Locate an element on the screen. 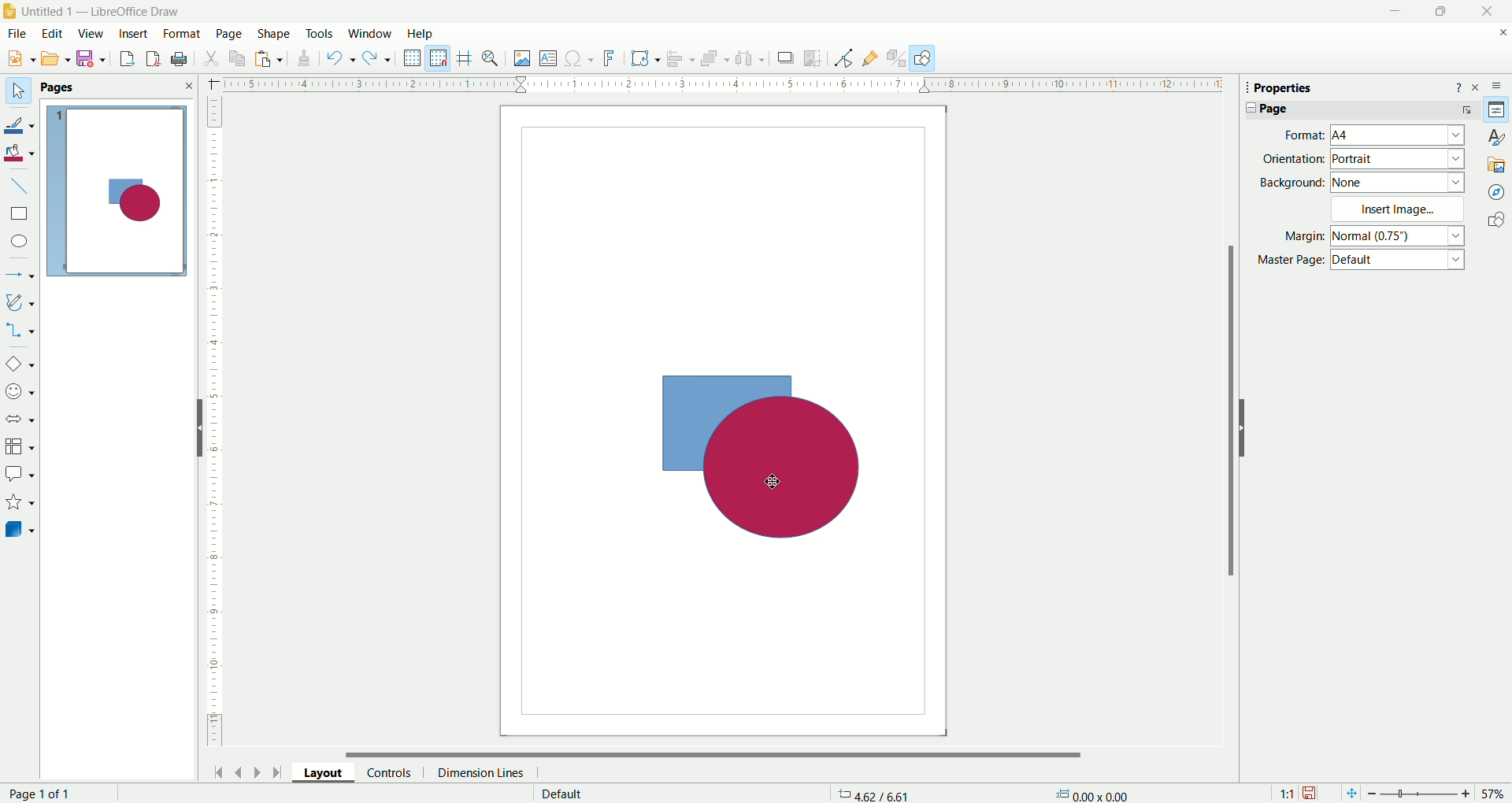  snap to grid is located at coordinates (441, 57).